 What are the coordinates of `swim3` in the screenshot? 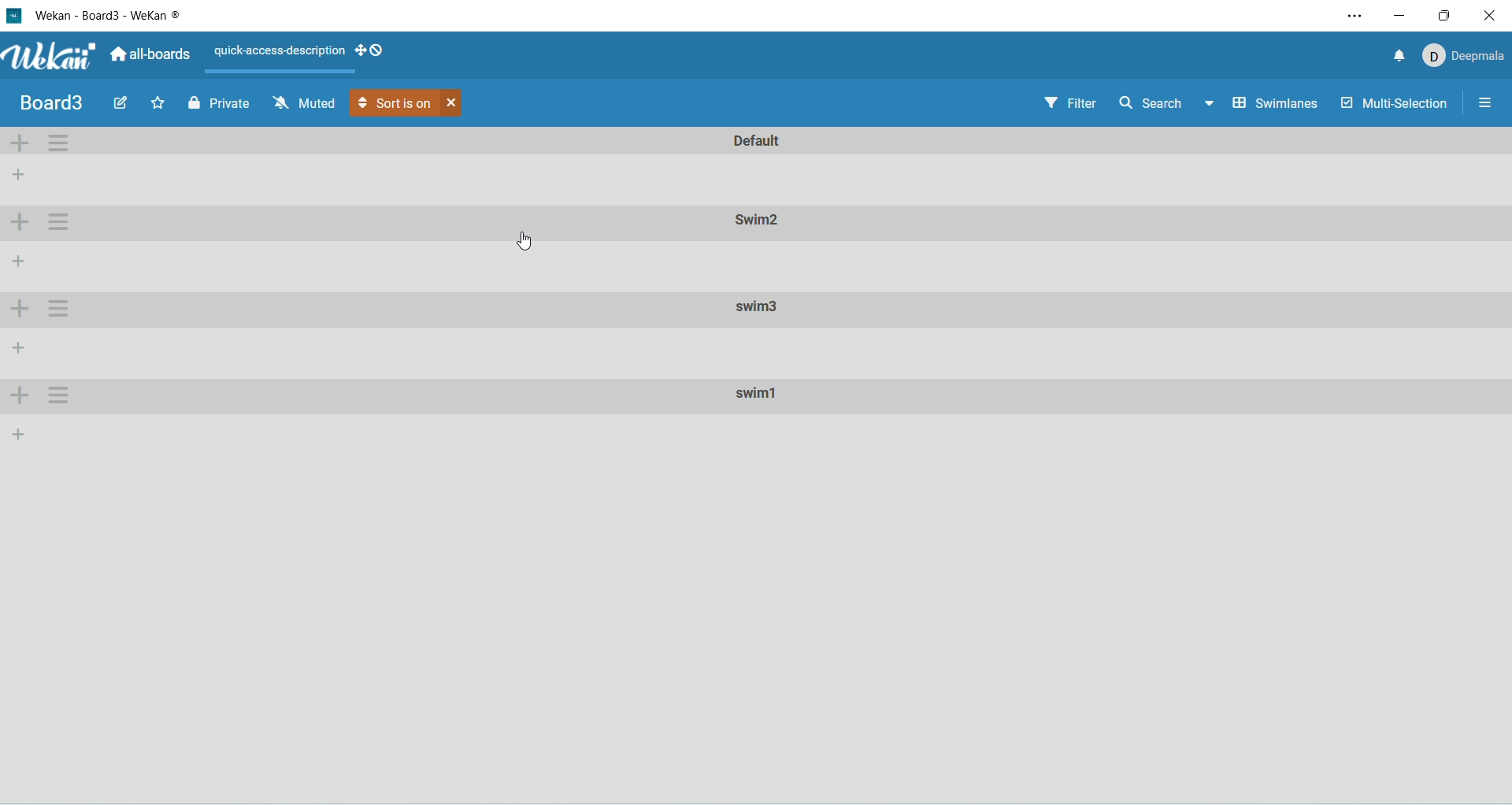 It's located at (758, 307).